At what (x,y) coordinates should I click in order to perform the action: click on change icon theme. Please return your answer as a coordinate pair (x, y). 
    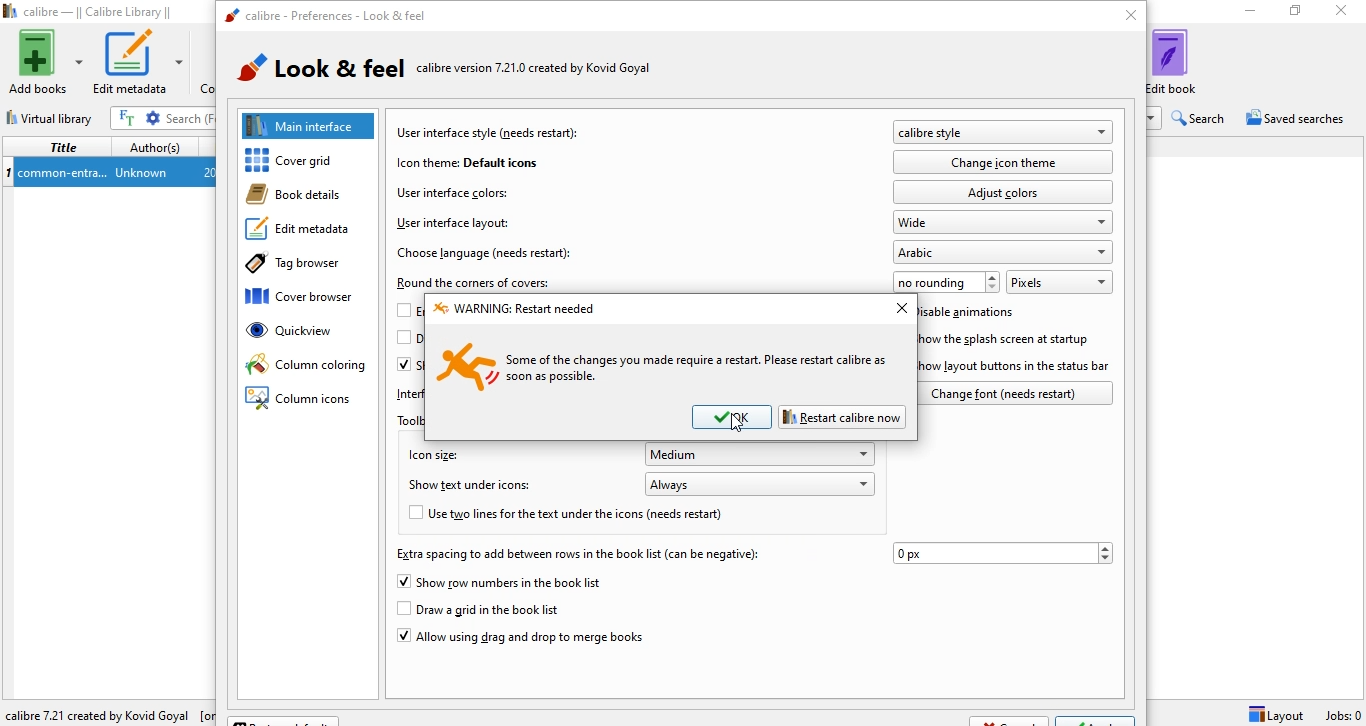
    Looking at the image, I should click on (1006, 162).